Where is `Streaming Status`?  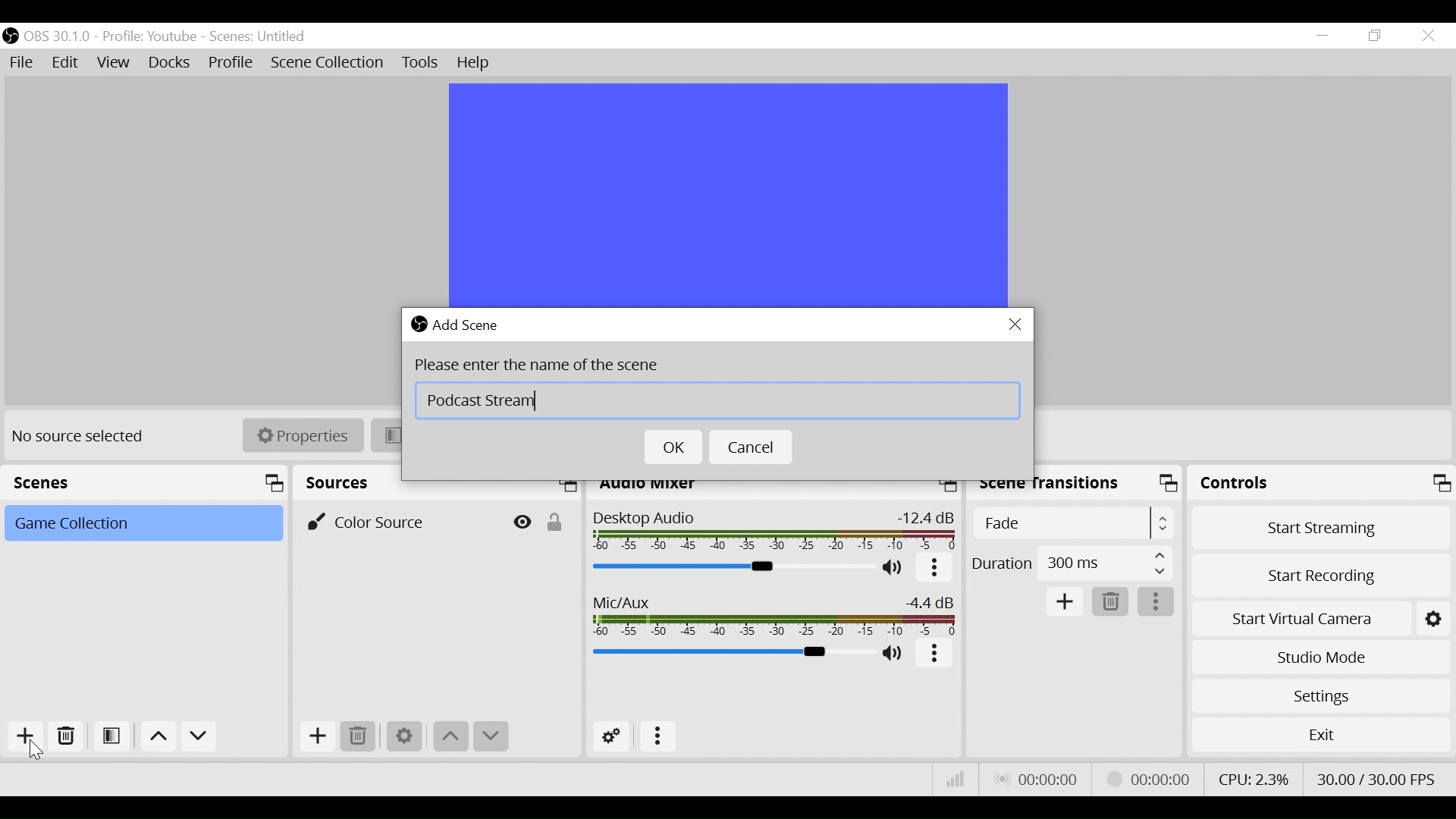 Streaming Status is located at coordinates (1145, 778).